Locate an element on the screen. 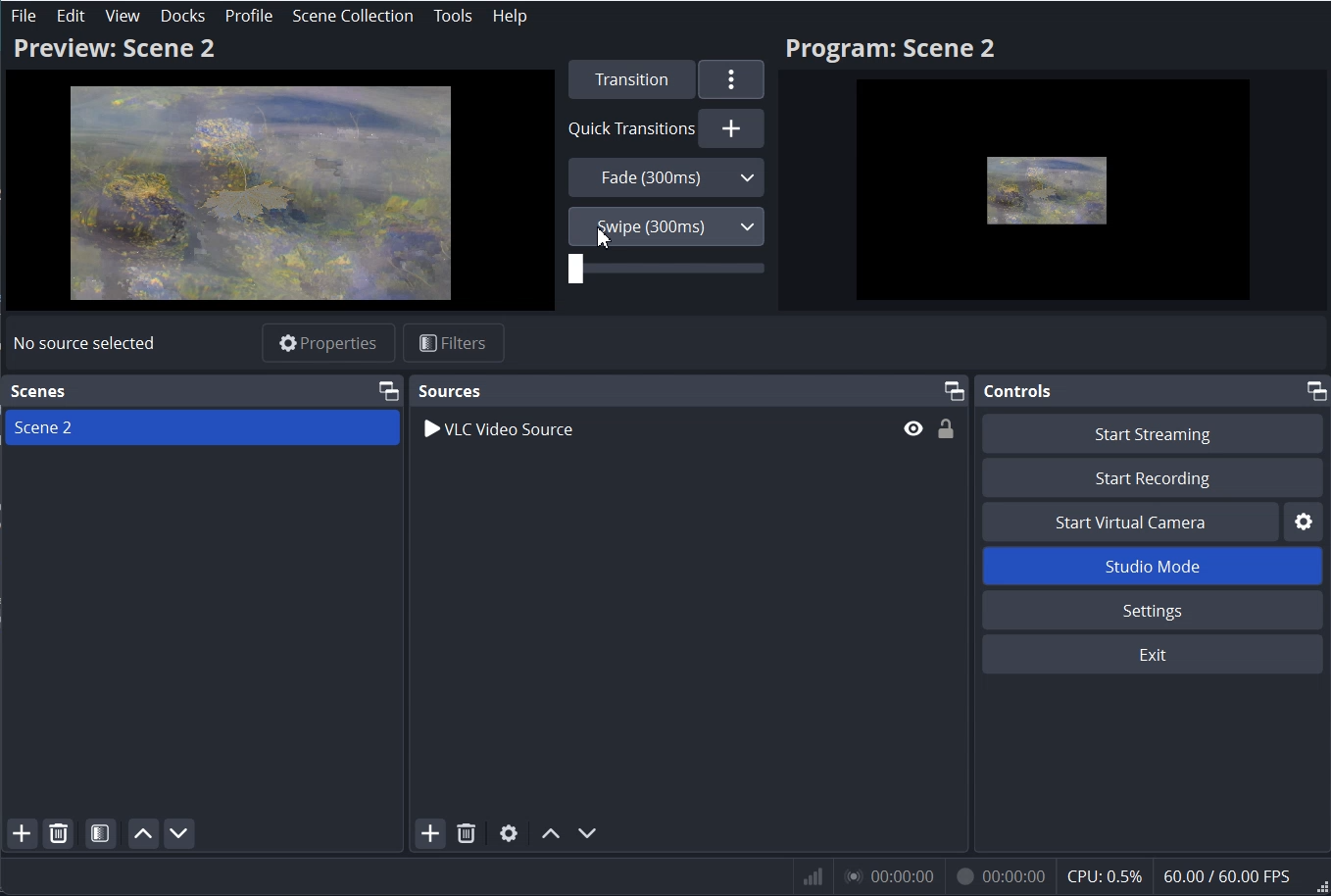 This screenshot has height=896, width=1331. VLC Video Source is located at coordinates (652, 427).